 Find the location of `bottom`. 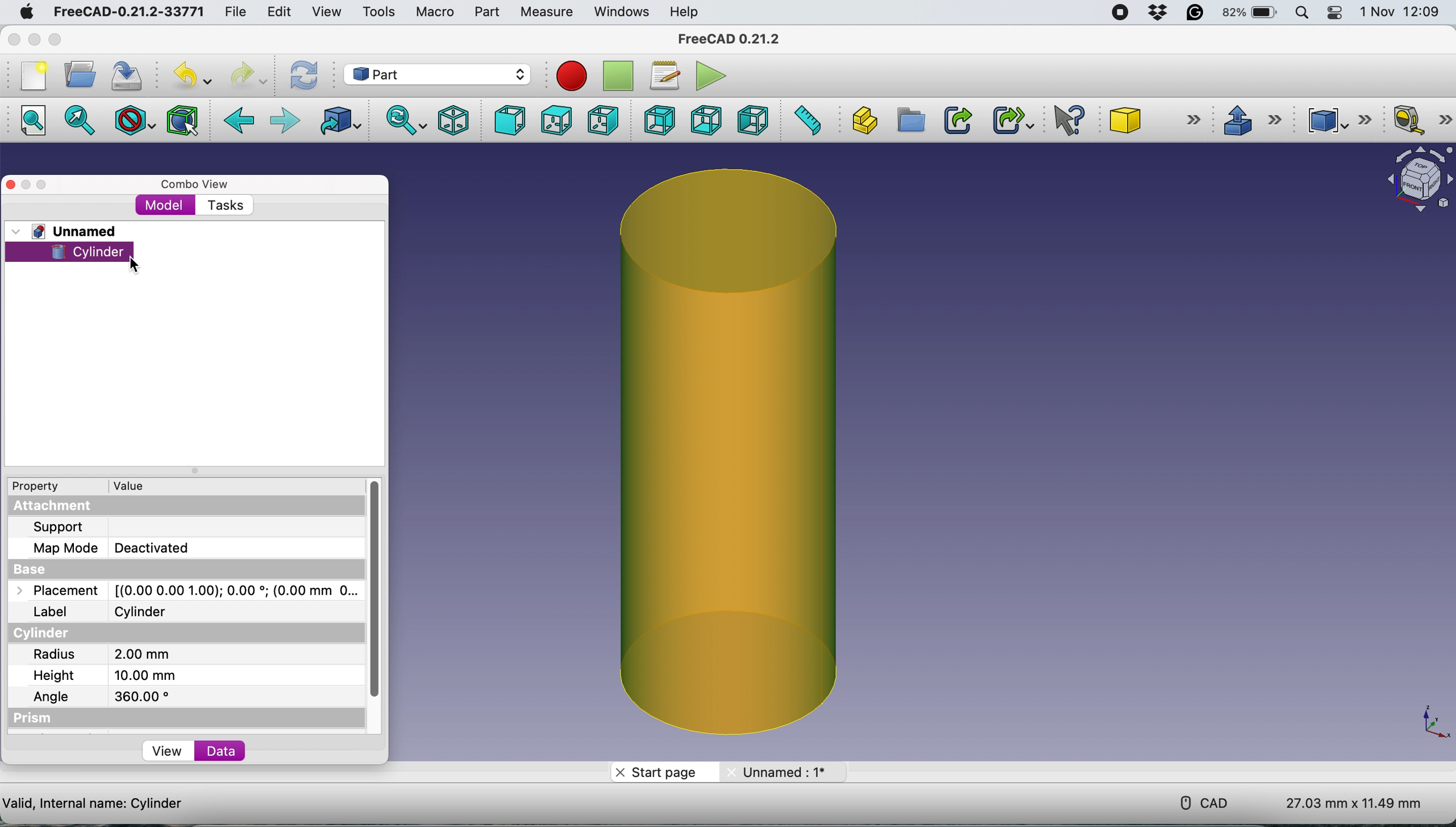

bottom is located at coordinates (704, 120).